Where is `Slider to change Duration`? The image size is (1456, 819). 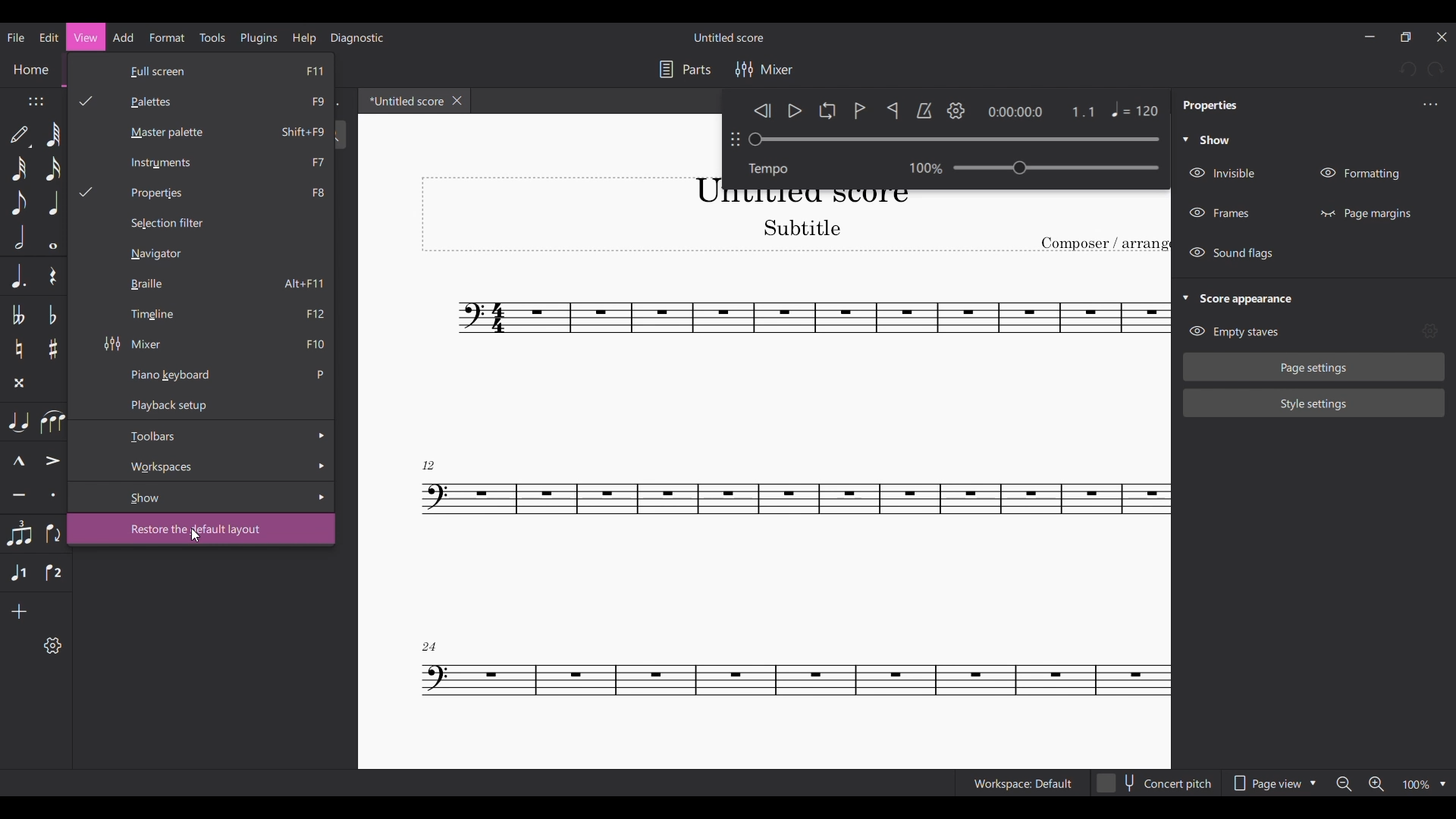 Slider to change Duration is located at coordinates (953, 140).